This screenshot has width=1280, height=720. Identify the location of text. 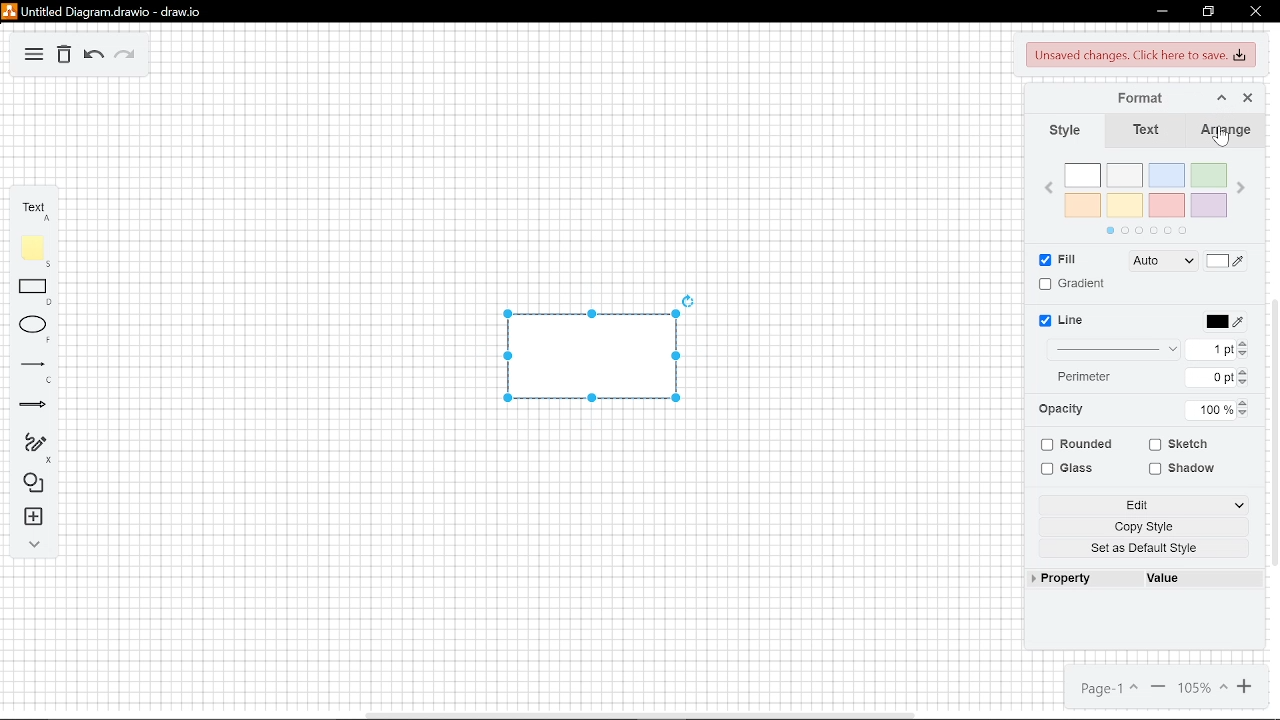
(1141, 132).